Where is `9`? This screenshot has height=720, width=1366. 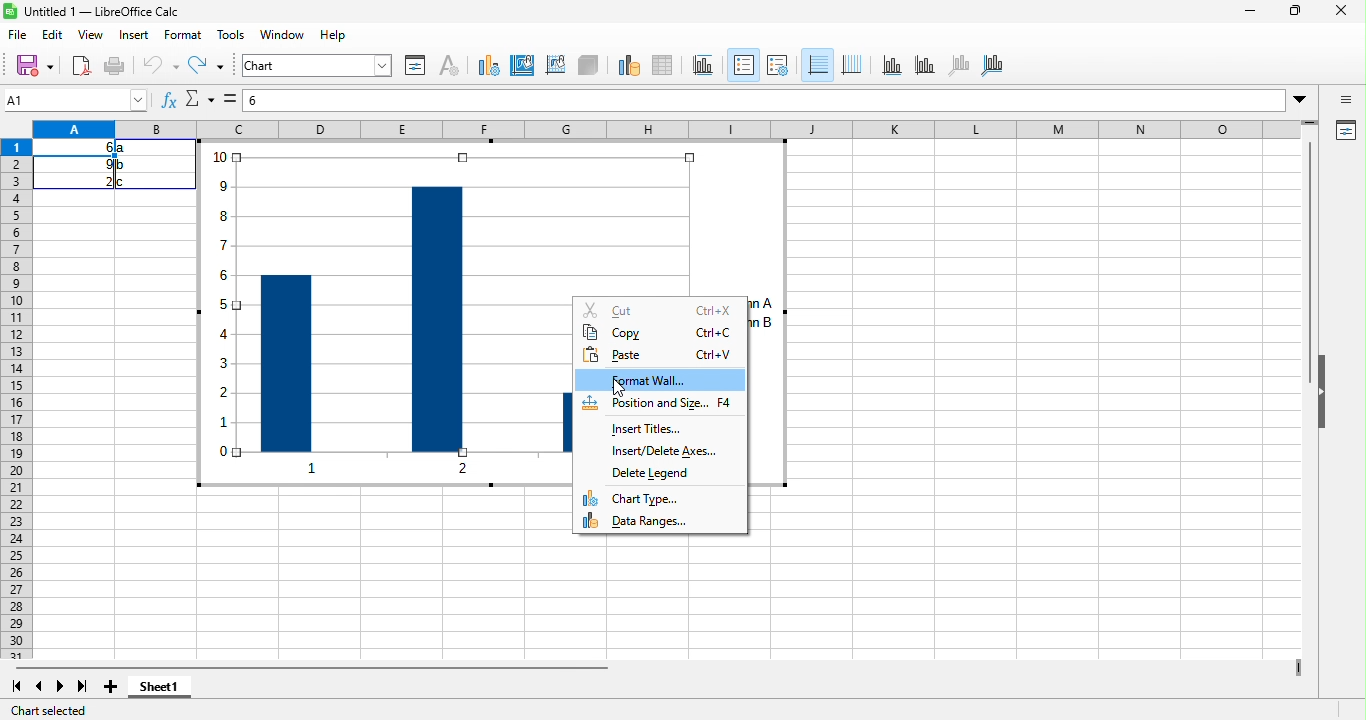 9 is located at coordinates (104, 165).